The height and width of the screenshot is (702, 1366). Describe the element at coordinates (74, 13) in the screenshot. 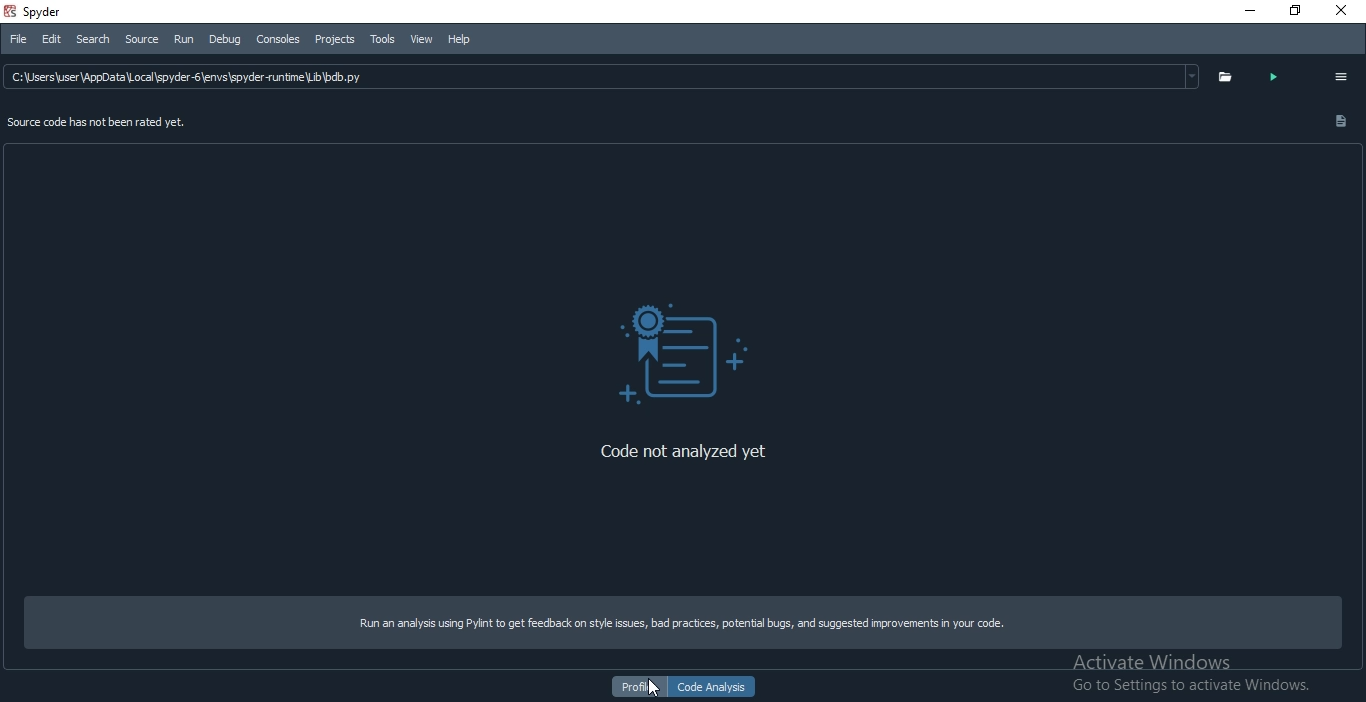

I see `Spyder` at that location.